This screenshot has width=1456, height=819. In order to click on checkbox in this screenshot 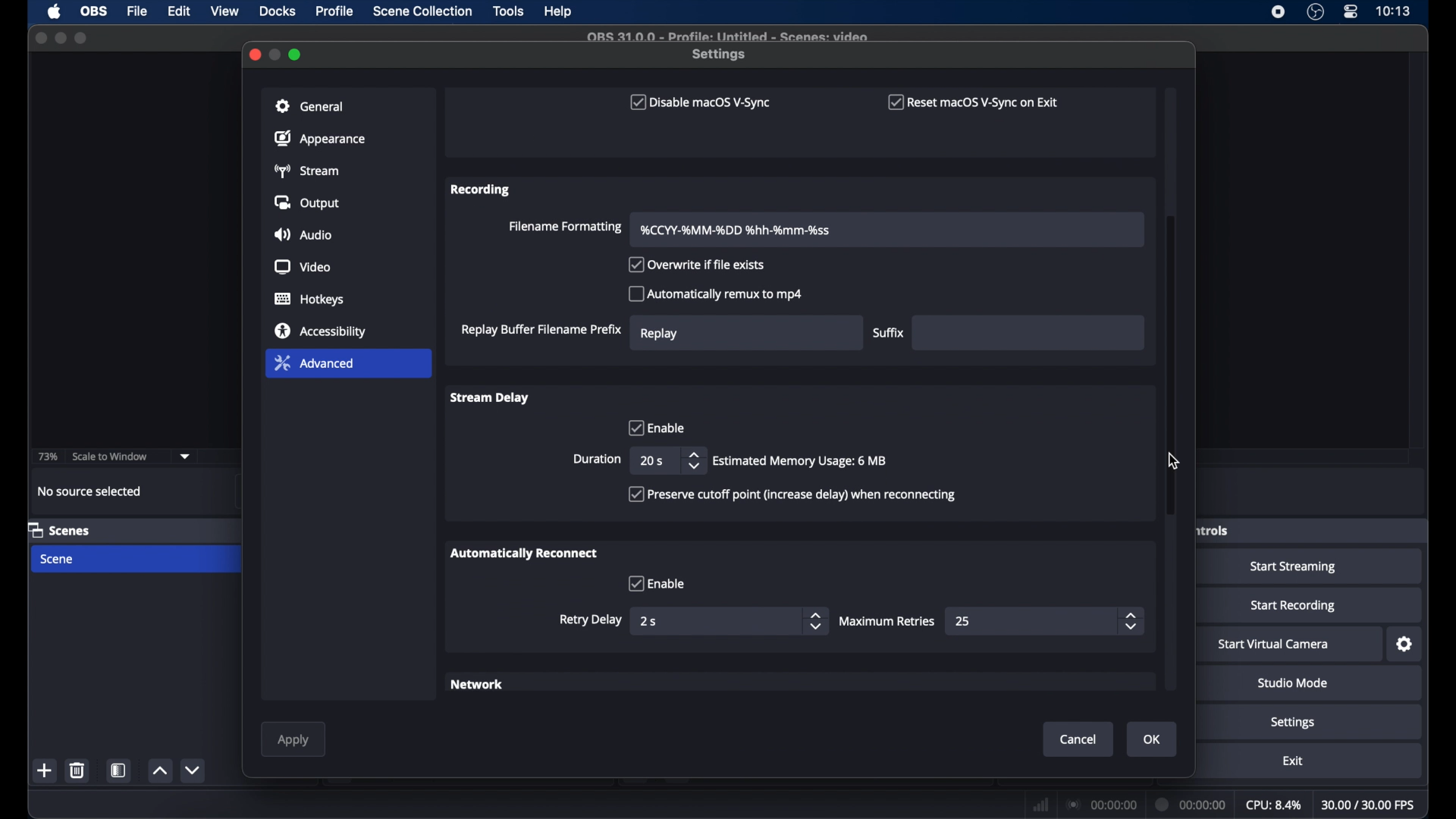, I will do `click(792, 494)`.